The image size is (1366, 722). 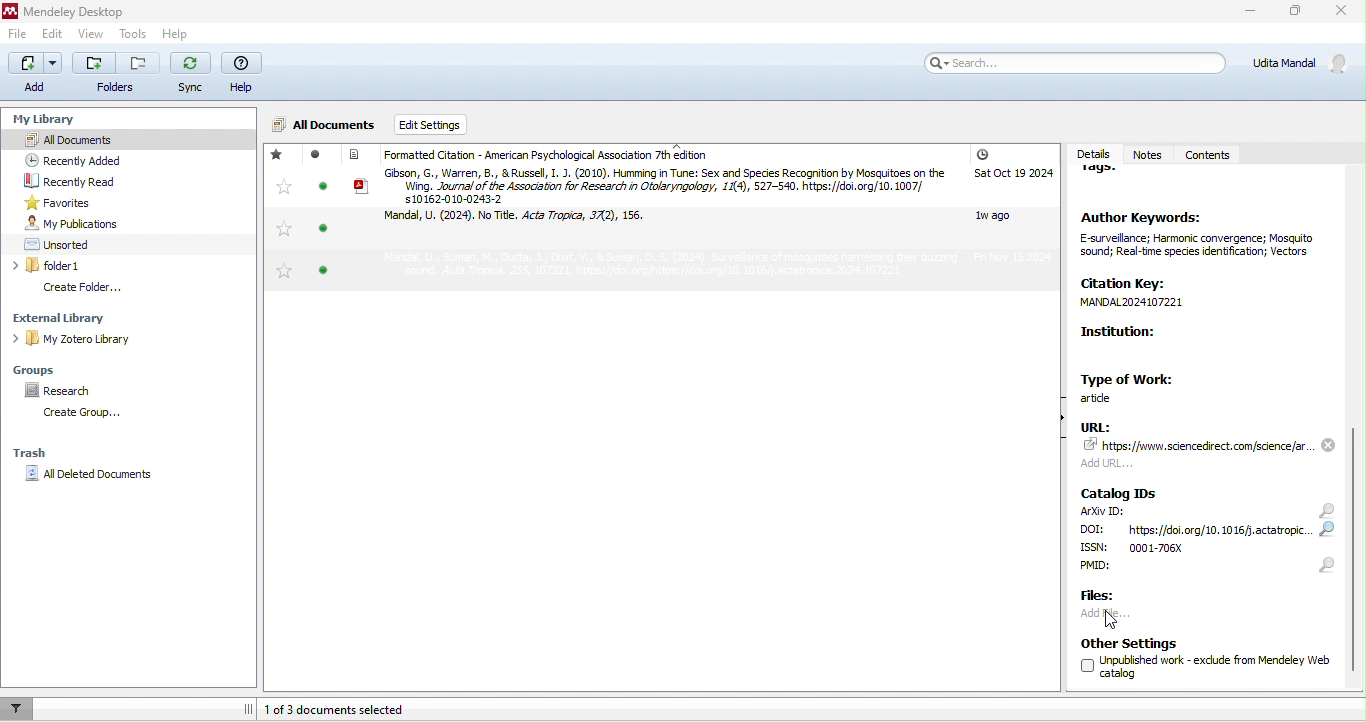 What do you see at coordinates (1247, 13) in the screenshot?
I see `minimize` at bounding box center [1247, 13].